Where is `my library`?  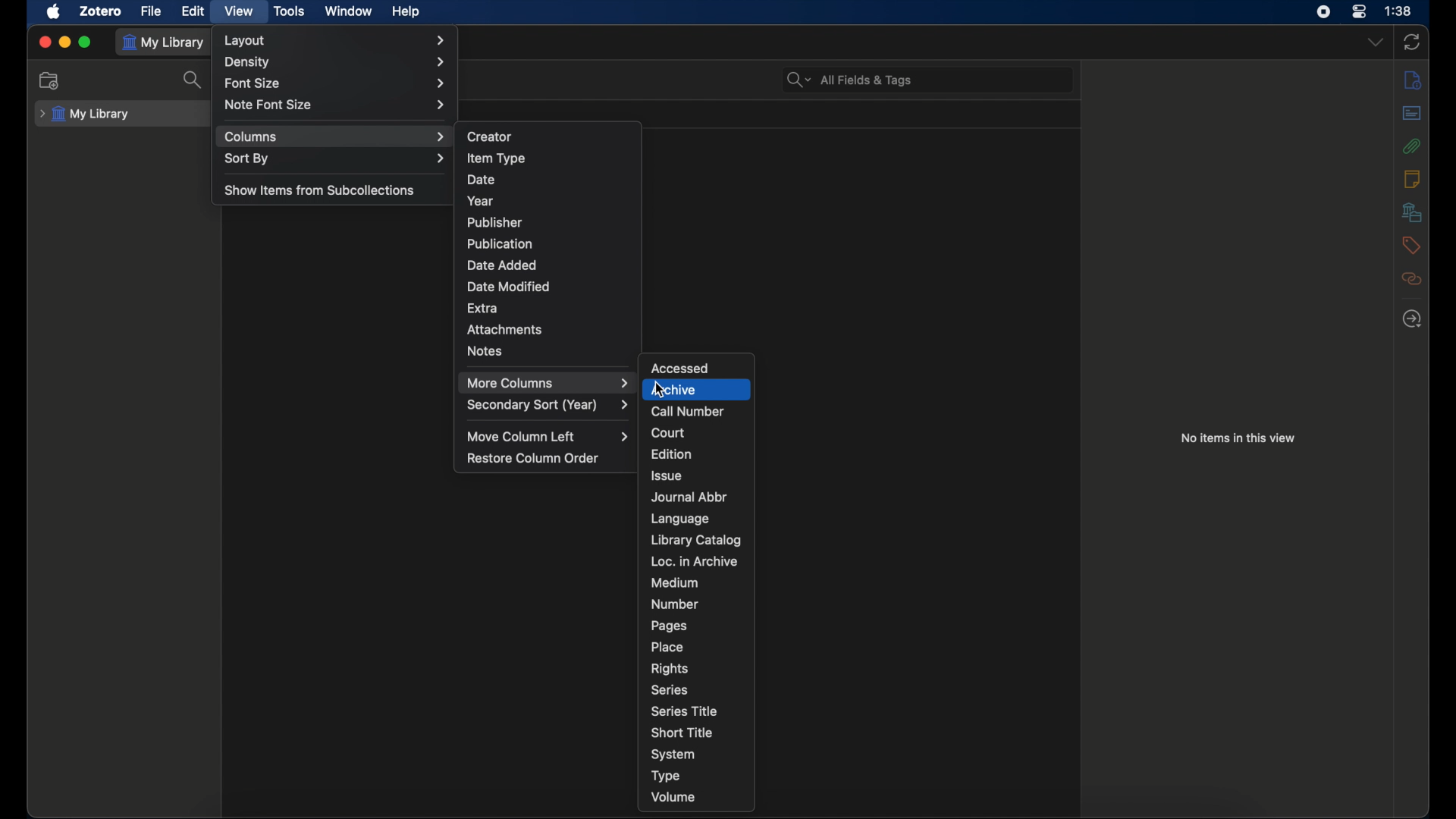 my library is located at coordinates (86, 114).